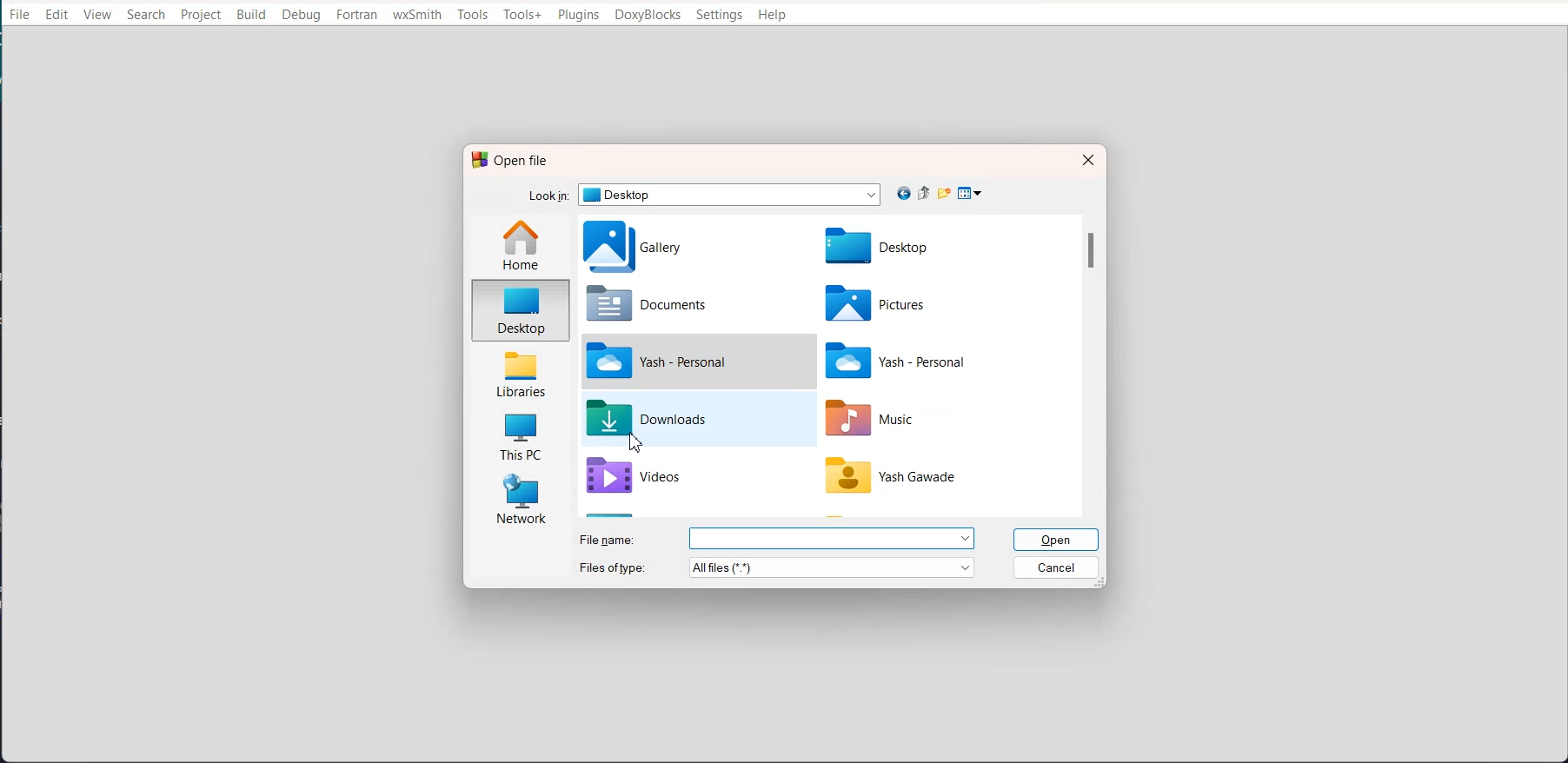 The image size is (1568, 763). Describe the element at coordinates (520, 433) in the screenshot. I see `This PC` at that location.